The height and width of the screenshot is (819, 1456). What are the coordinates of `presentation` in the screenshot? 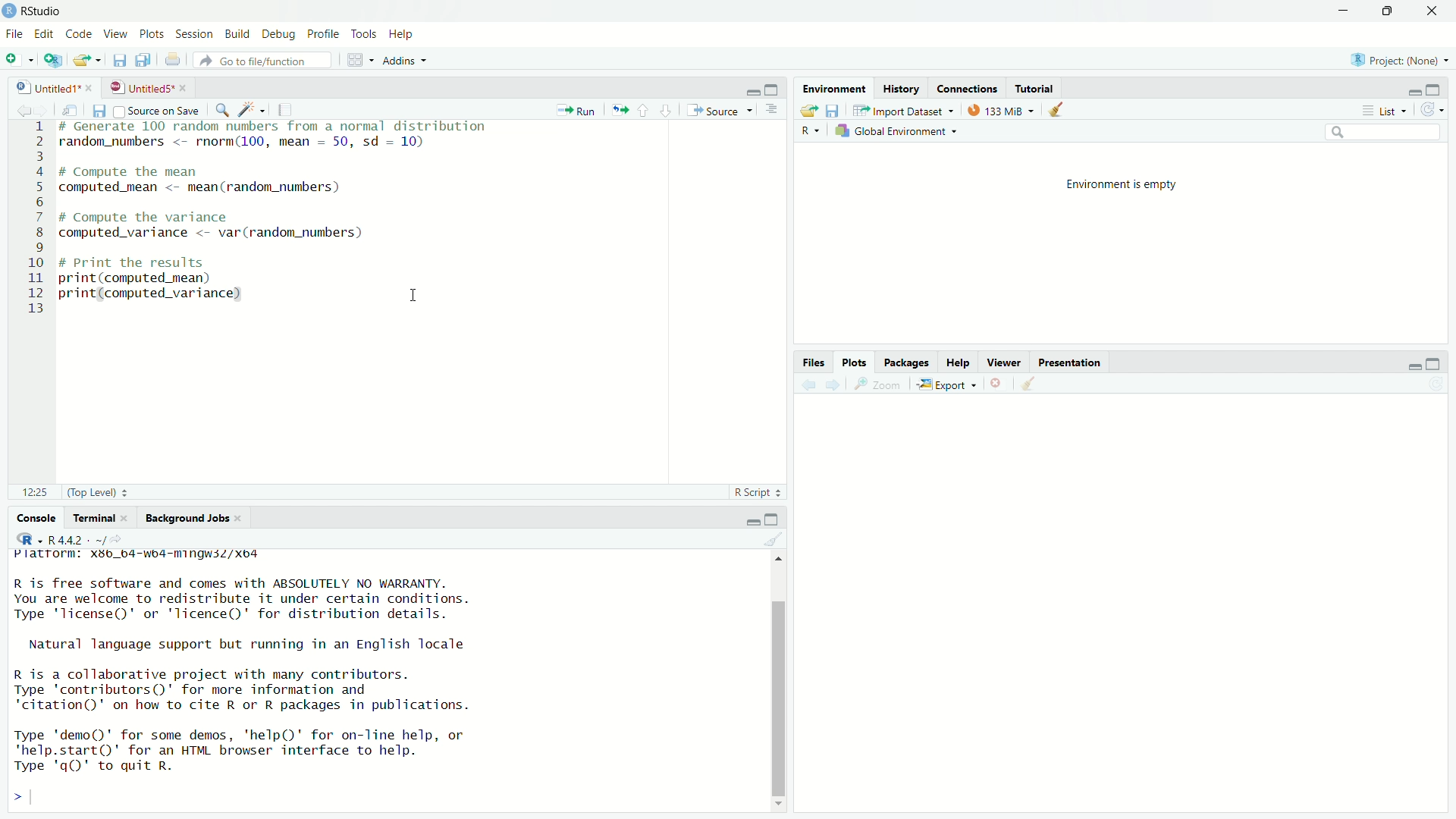 It's located at (1073, 361).